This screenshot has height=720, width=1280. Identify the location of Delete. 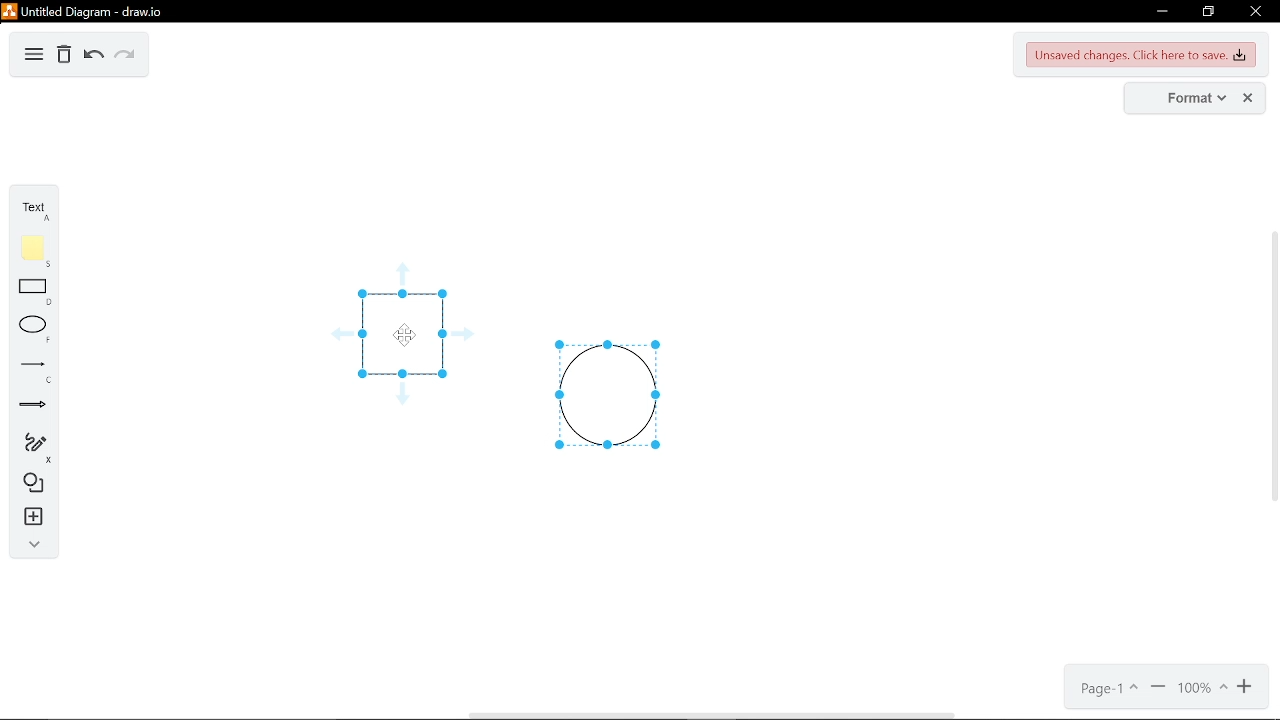
(64, 56).